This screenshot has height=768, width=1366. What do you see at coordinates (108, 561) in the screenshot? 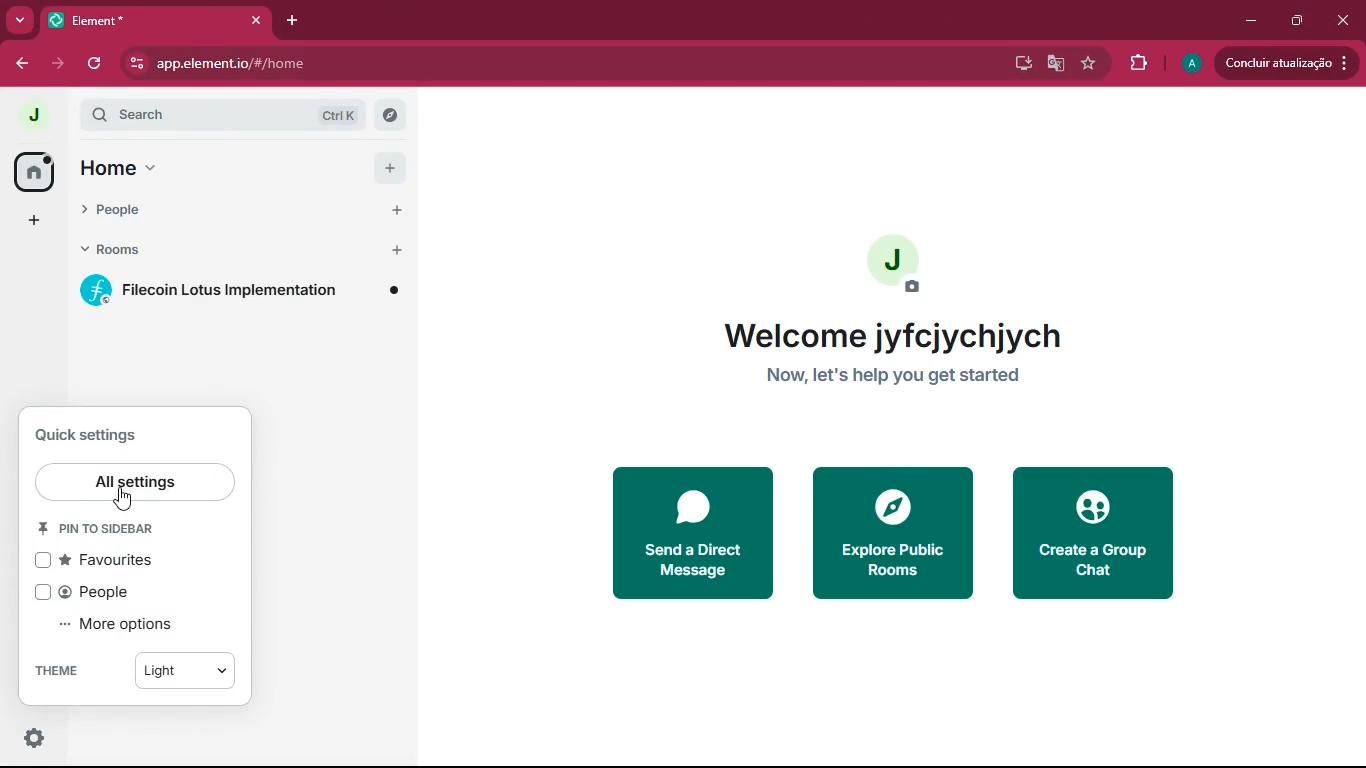
I see `favourites` at bounding box center [108, 561].